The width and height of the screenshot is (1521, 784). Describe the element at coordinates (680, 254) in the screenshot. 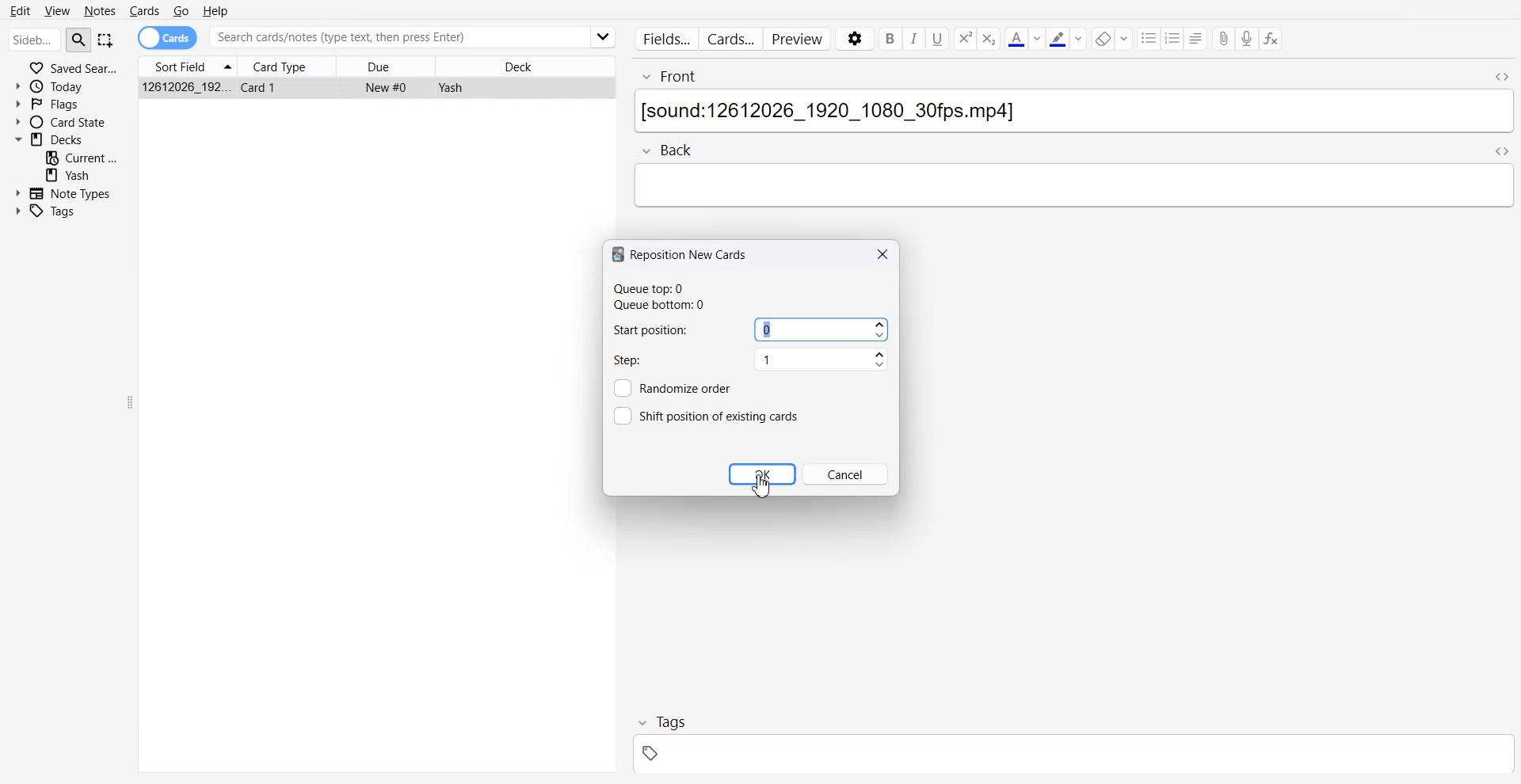

I see `Reposition new cards` at that location.